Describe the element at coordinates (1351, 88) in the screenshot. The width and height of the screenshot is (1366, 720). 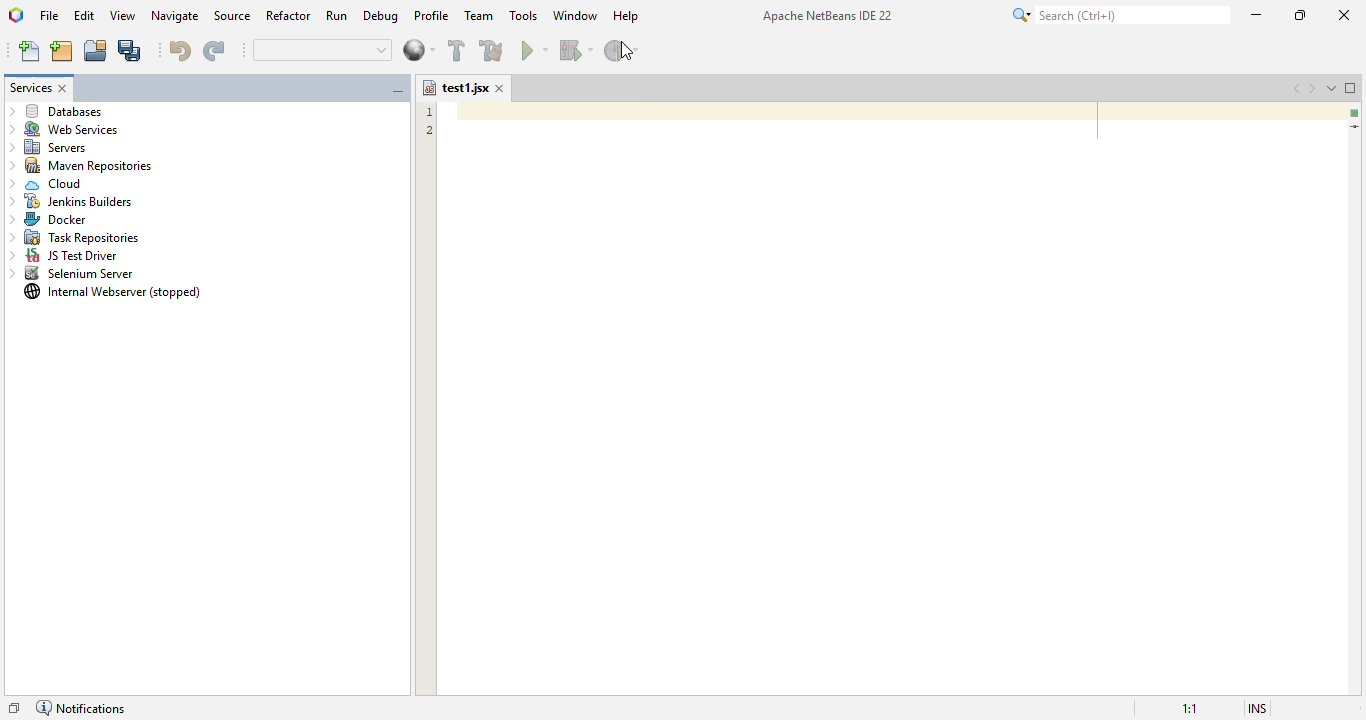
I see `maximize window` at that location.